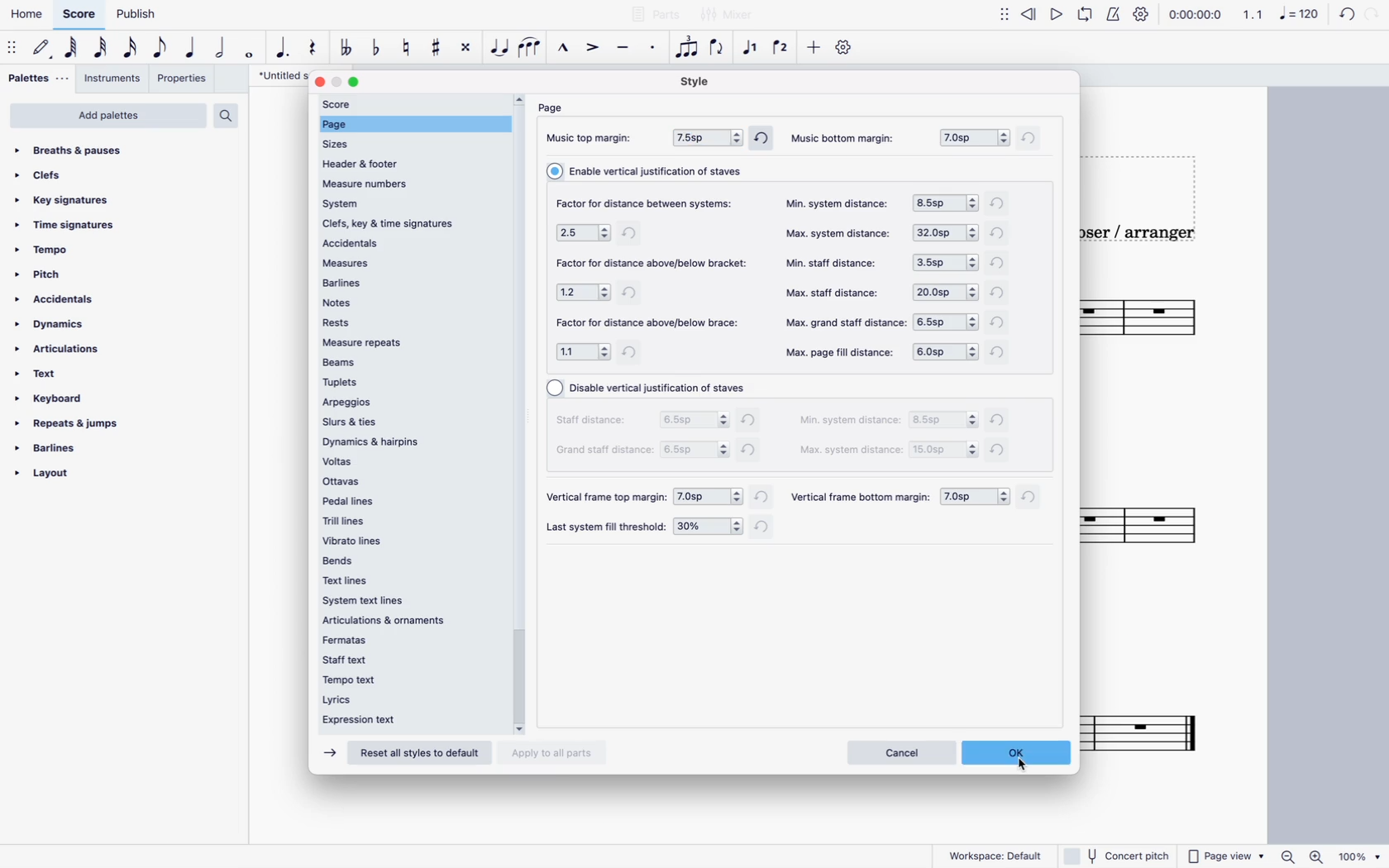 The width and height of the screenshot is (1389, 868). I want to click on 16th note, so click(129, 50).